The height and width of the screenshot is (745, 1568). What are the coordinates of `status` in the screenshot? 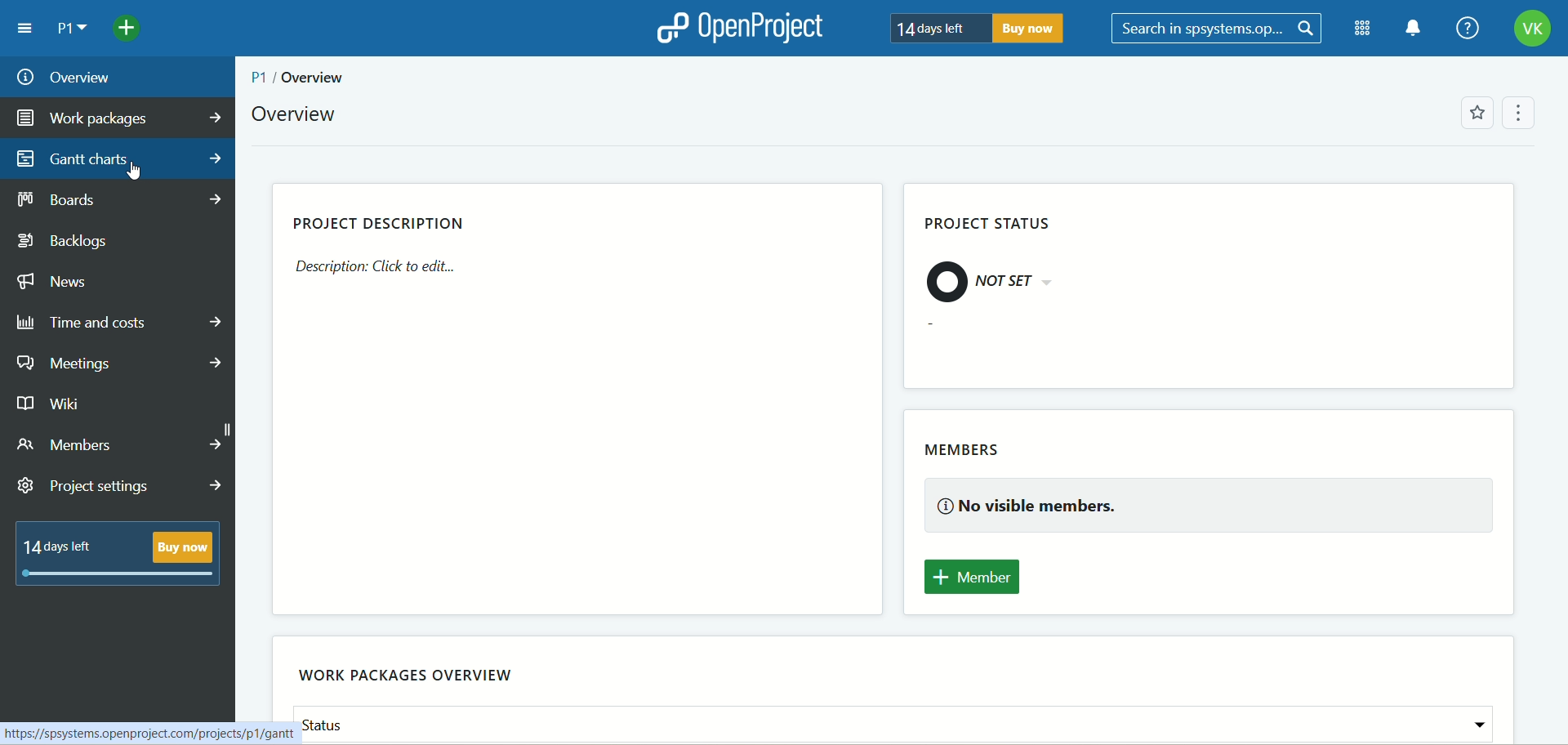 It's located at (895, 724).